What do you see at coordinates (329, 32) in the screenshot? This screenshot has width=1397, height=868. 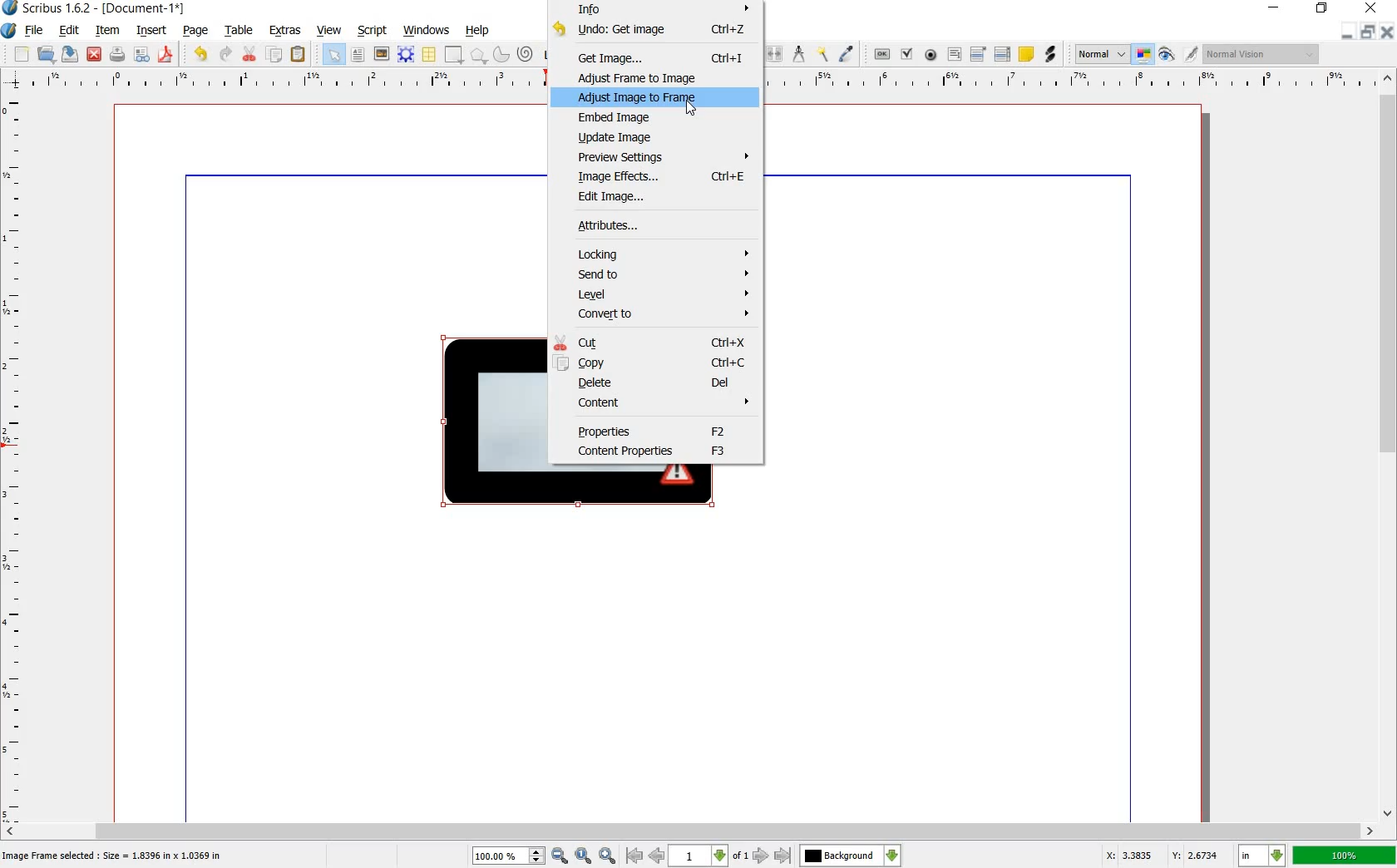 I see `view` at bounding box center [329, 32].